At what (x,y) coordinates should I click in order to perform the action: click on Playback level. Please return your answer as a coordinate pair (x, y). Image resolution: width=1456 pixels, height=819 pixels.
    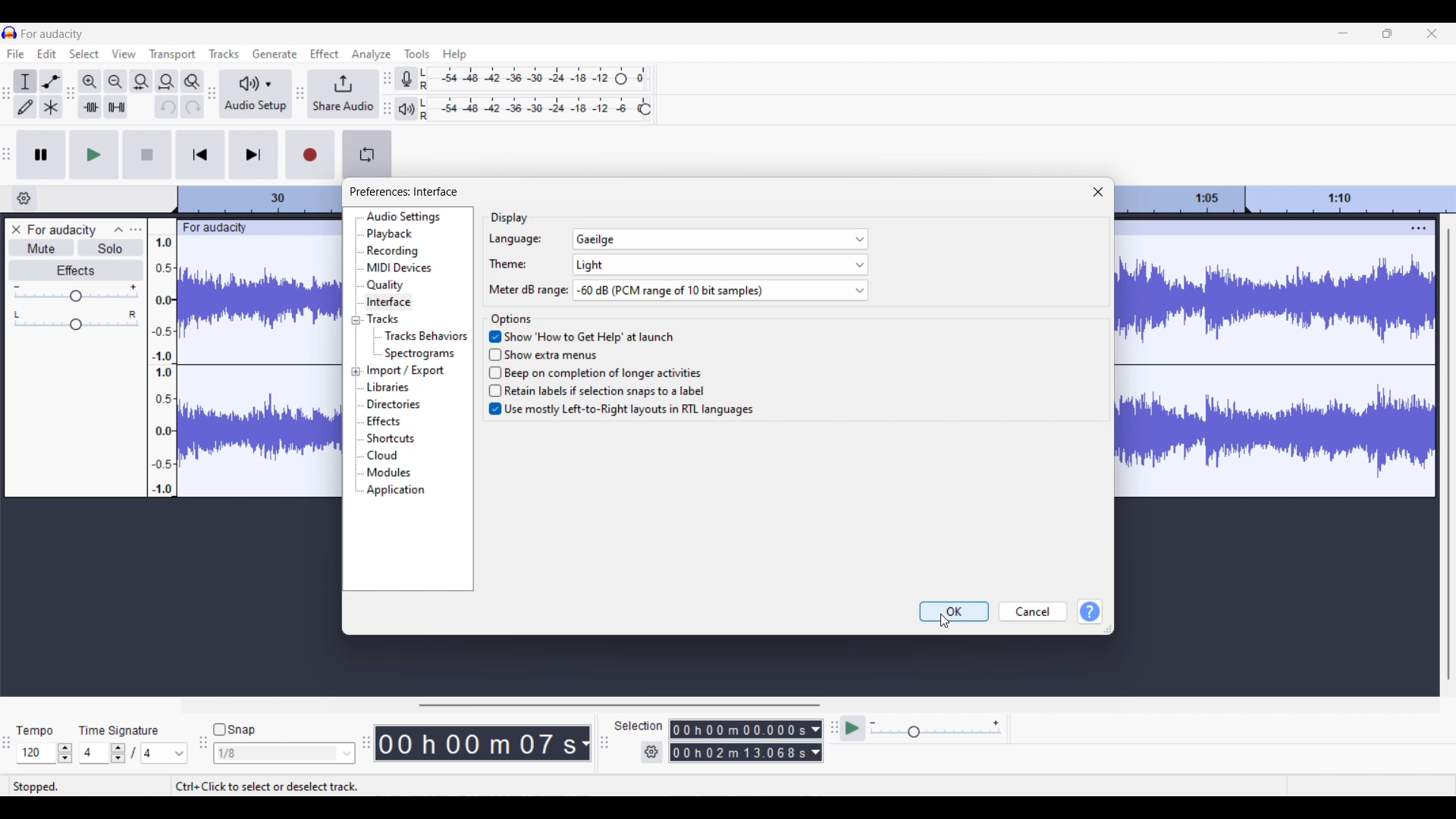
    Looking at the image, I should click on (529, 109).